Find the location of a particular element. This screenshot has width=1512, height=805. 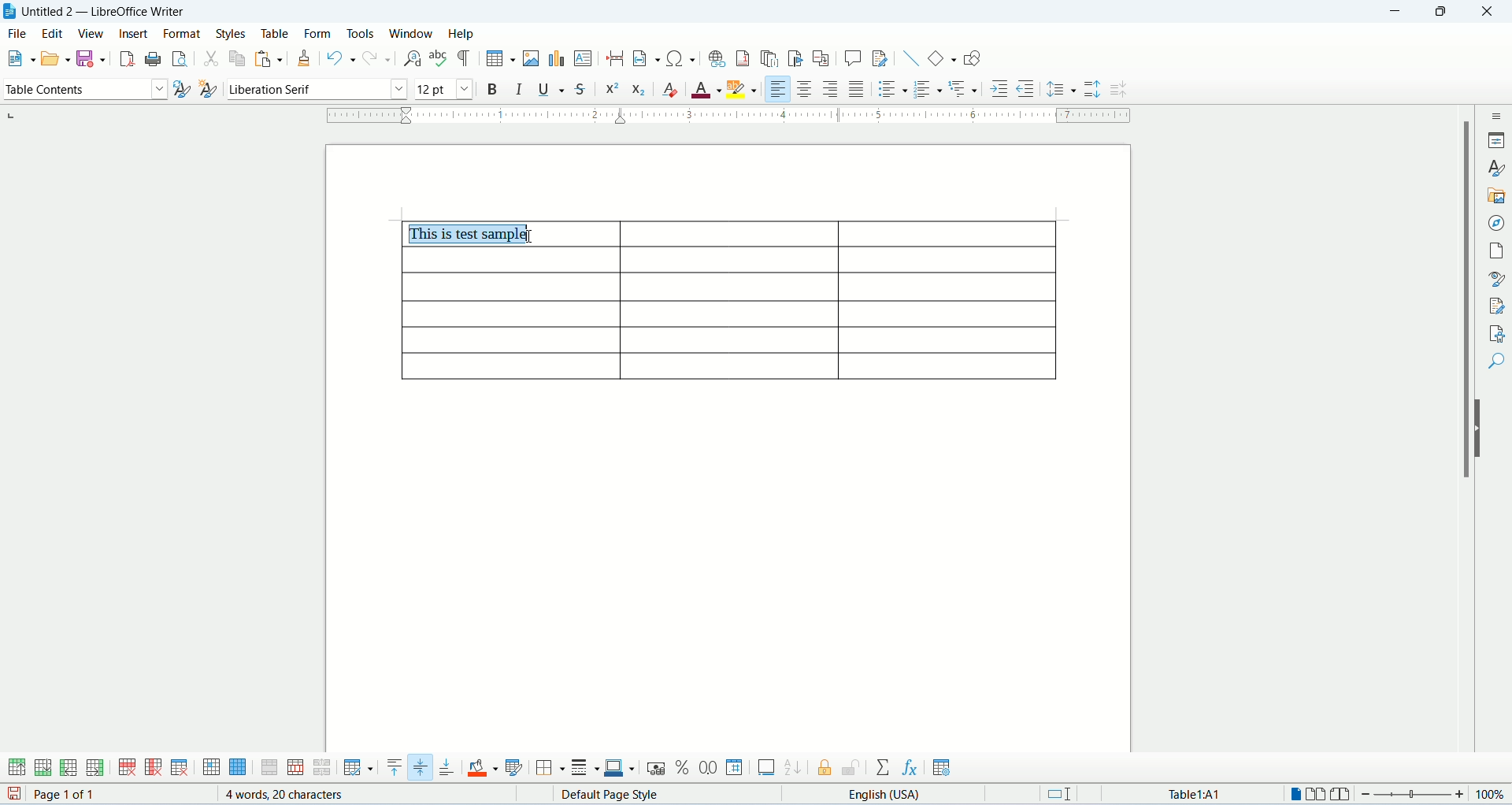

new is located at coordinates (19, 57).